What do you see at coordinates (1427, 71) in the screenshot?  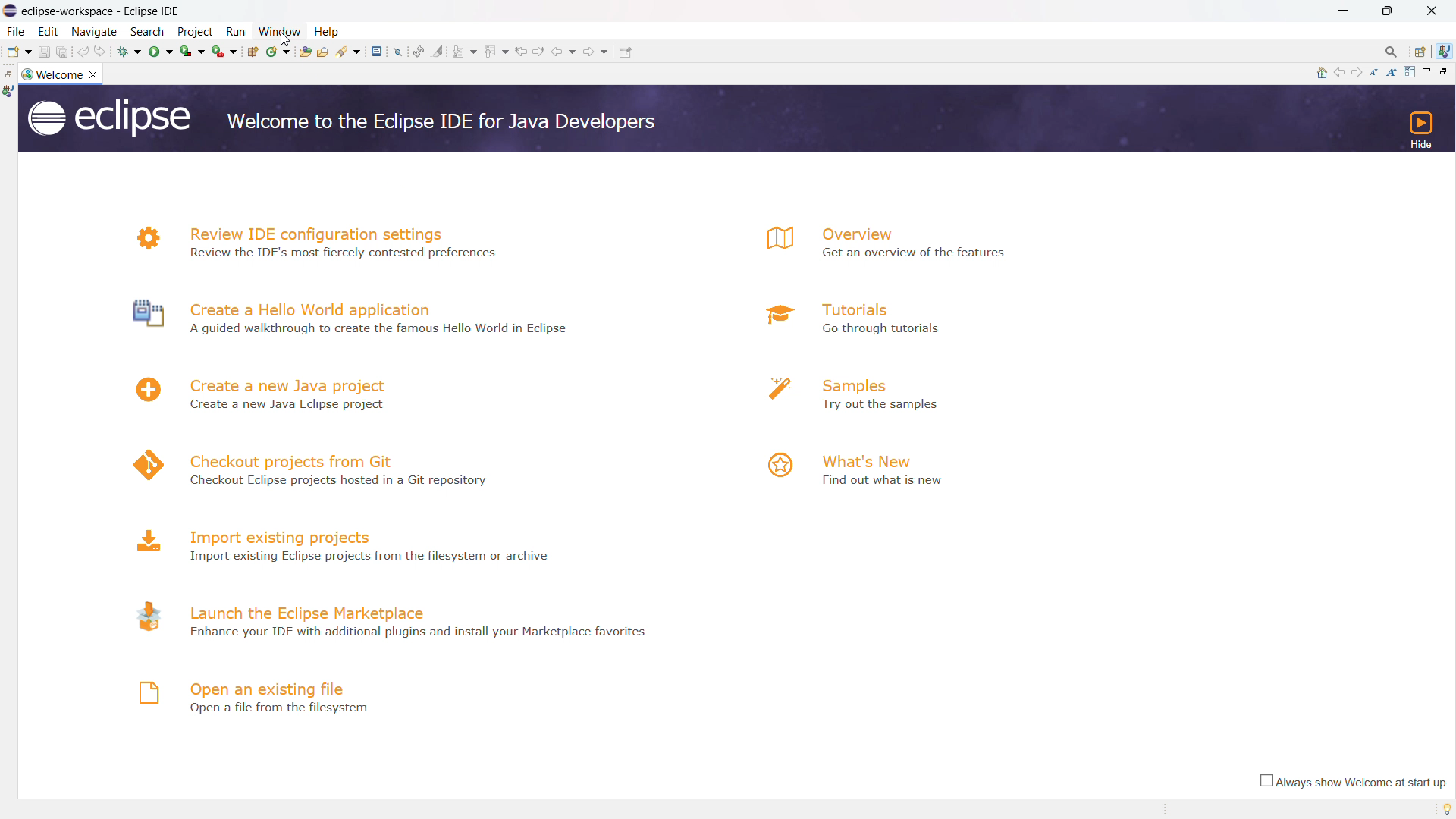 I see `minimize page` at bounding box center [1427, 71].